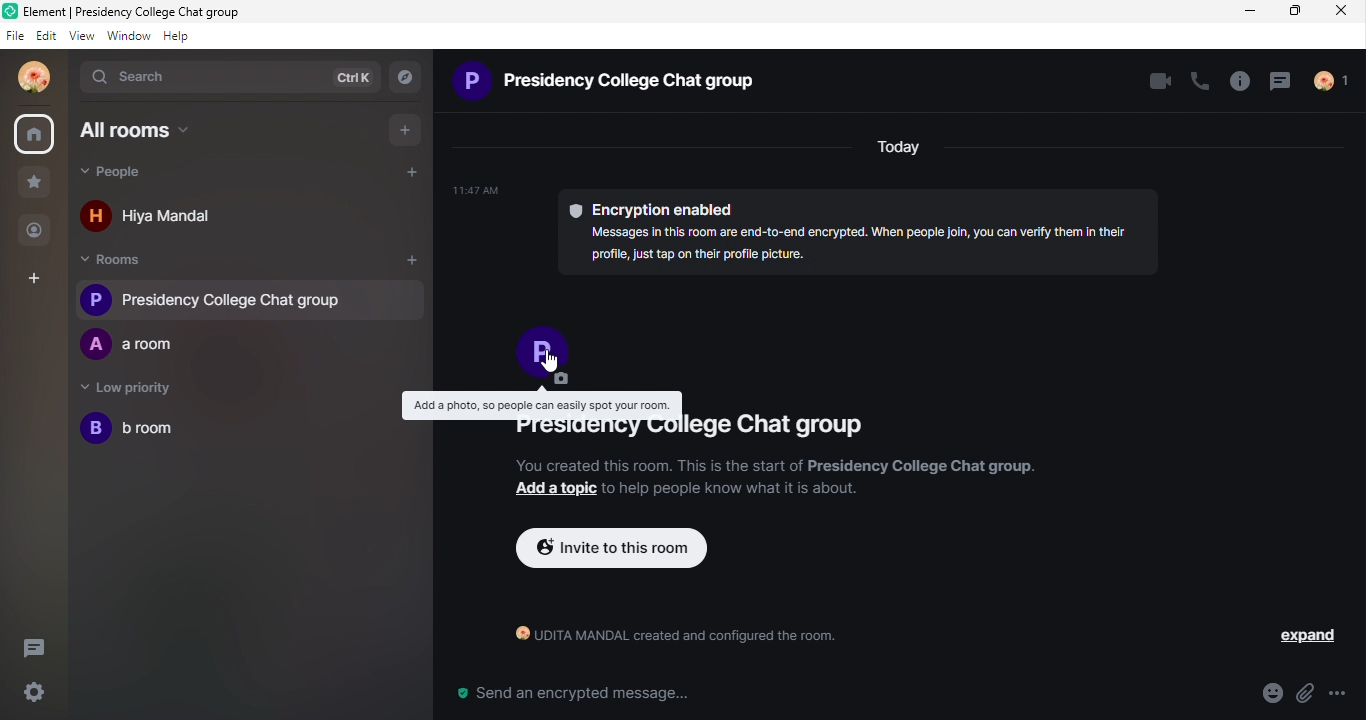  I want to click on a room, so click(137, 346).